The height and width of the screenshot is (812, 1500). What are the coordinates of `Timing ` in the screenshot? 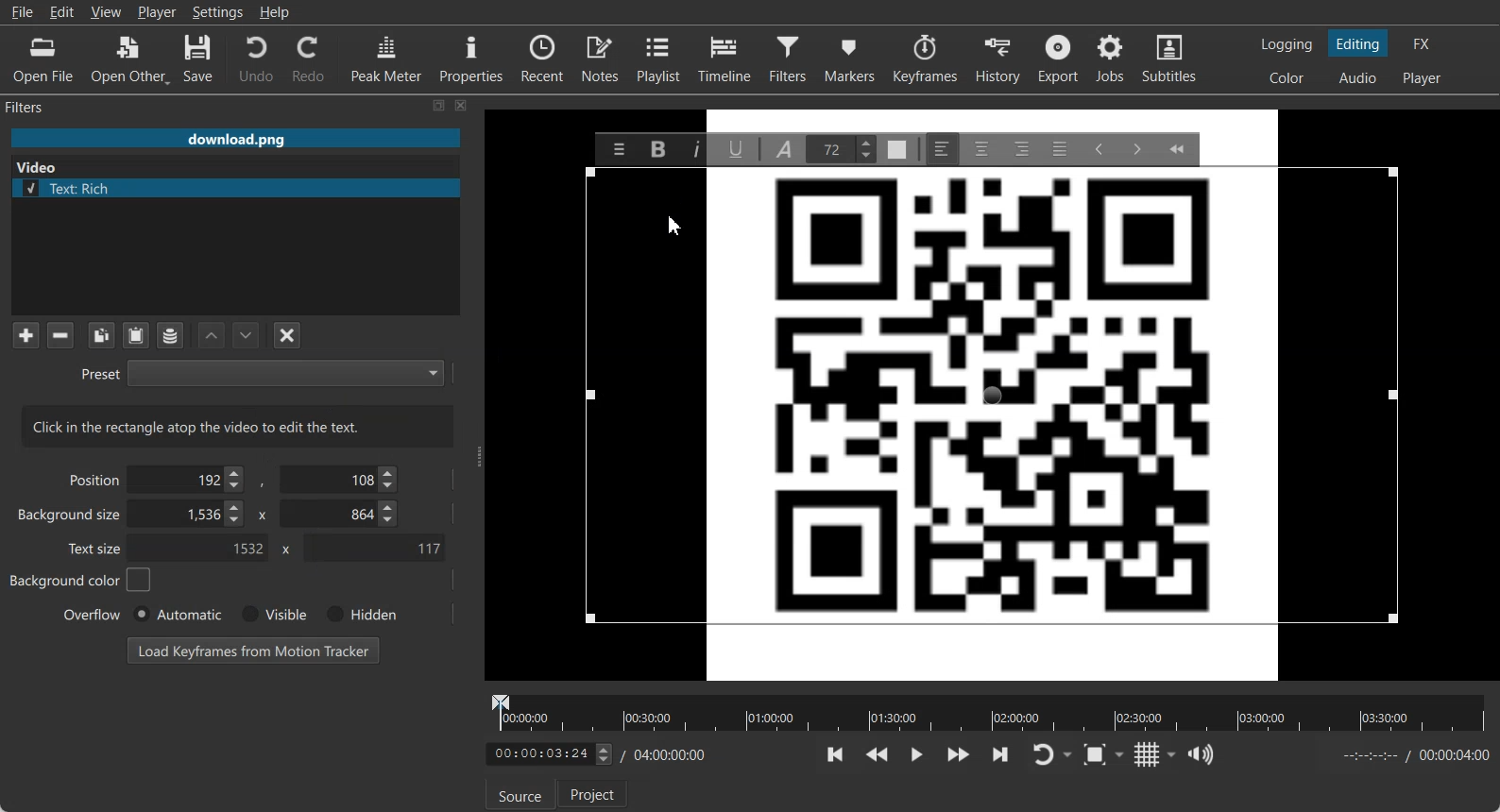 It's located at (669, 754).